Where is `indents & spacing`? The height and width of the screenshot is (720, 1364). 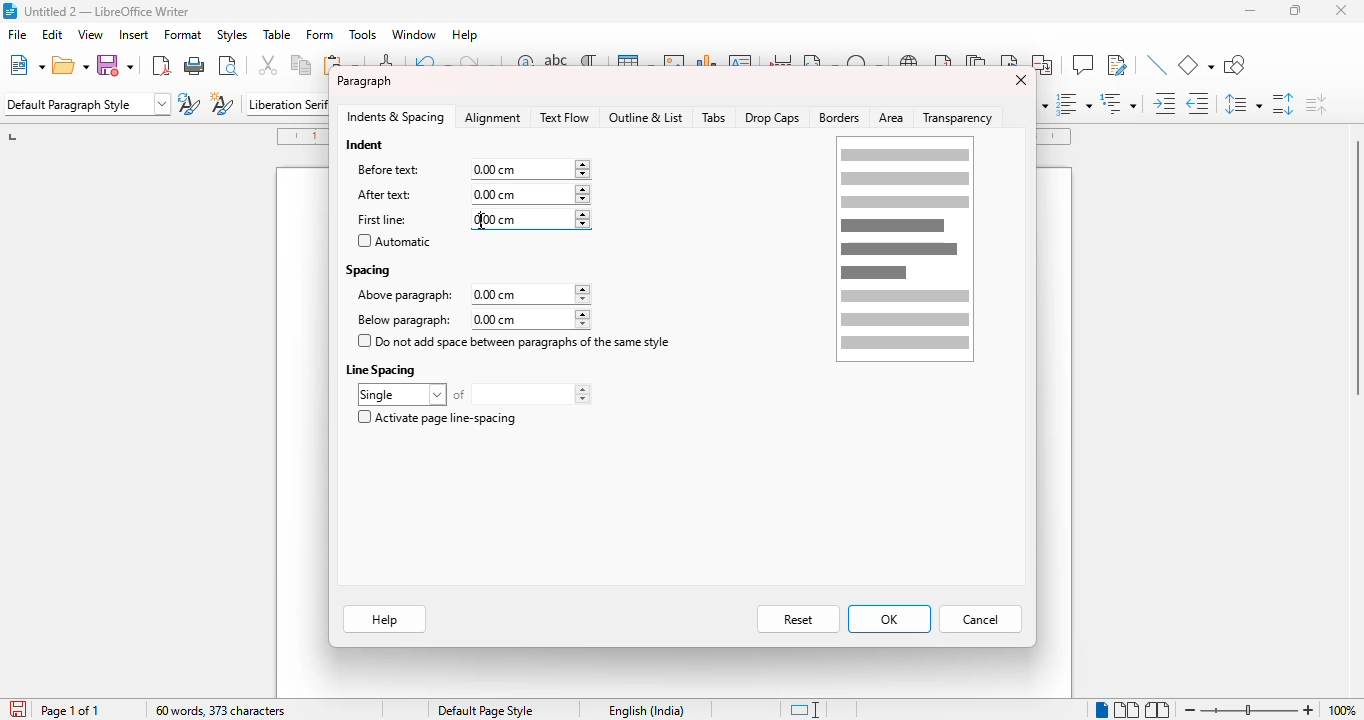
indents & spacing is located at coordinates (396, 117).